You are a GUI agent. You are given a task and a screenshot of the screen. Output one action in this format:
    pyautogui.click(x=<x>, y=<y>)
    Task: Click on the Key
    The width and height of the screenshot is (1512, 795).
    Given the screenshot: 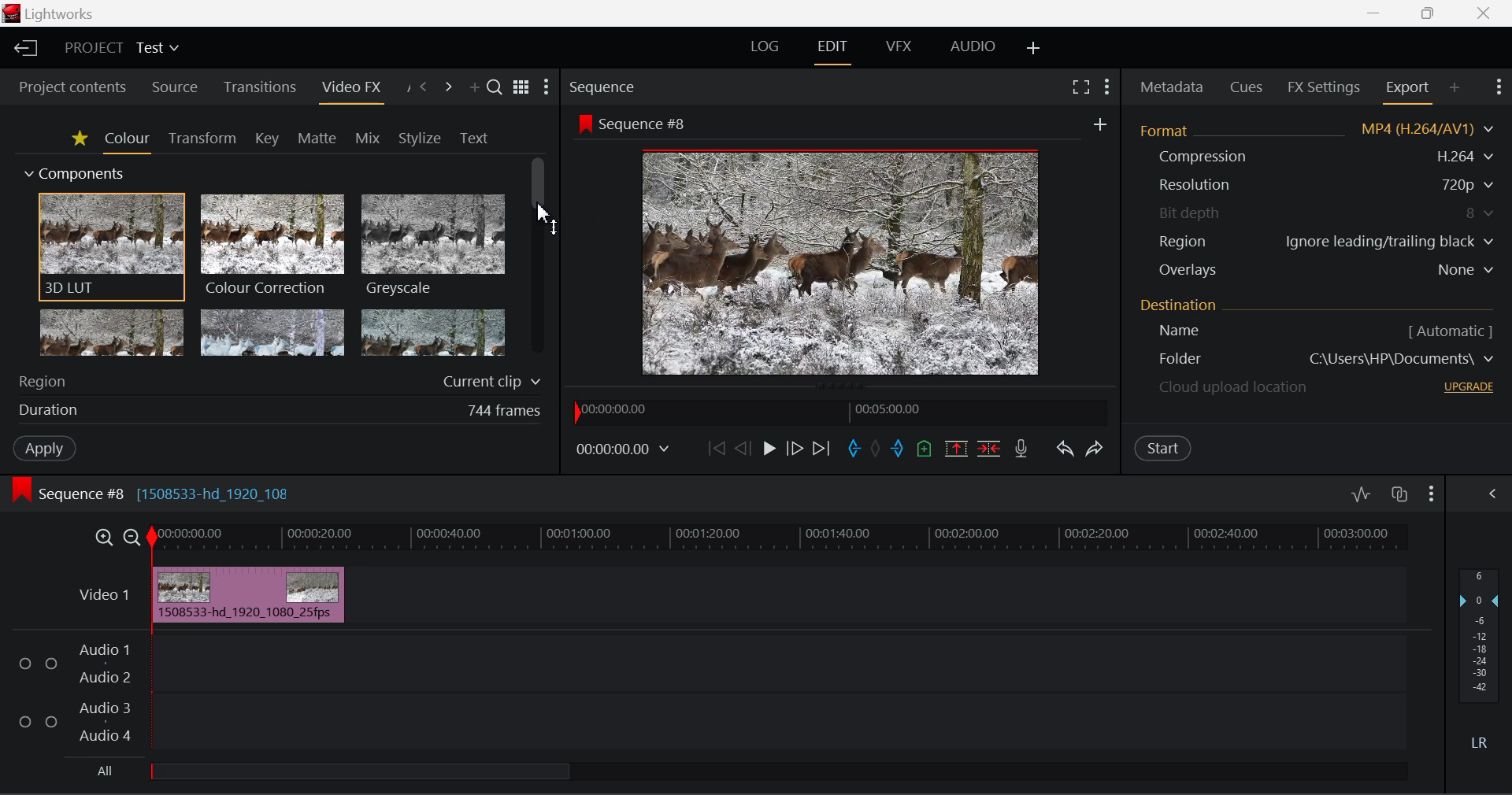 What is the action you would take?
    pyautogui.click(x=266, y=138)
    